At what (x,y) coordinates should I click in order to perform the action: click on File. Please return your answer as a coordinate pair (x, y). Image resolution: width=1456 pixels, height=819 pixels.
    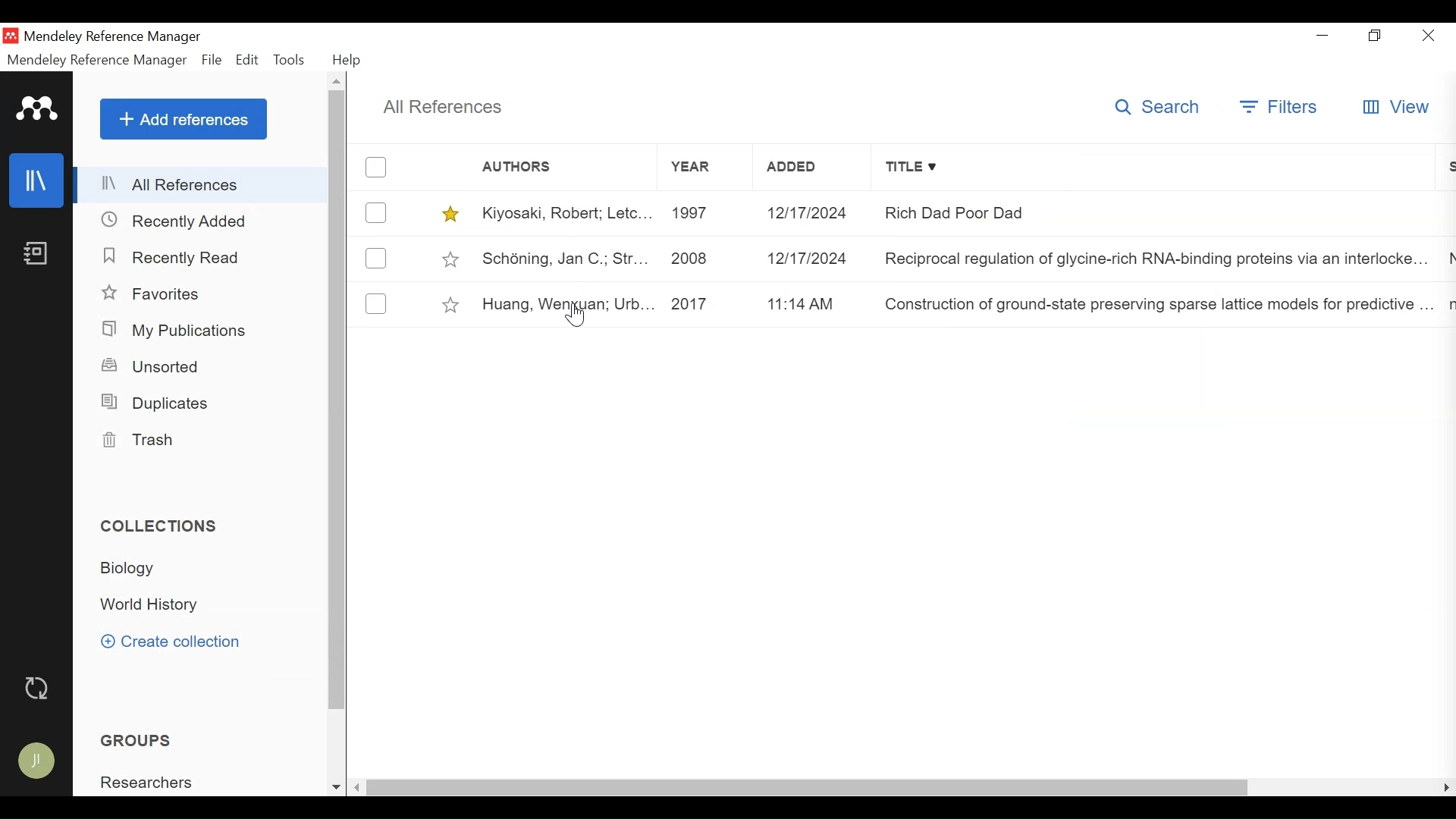
    Looking at the image, I should click on (212, 61).